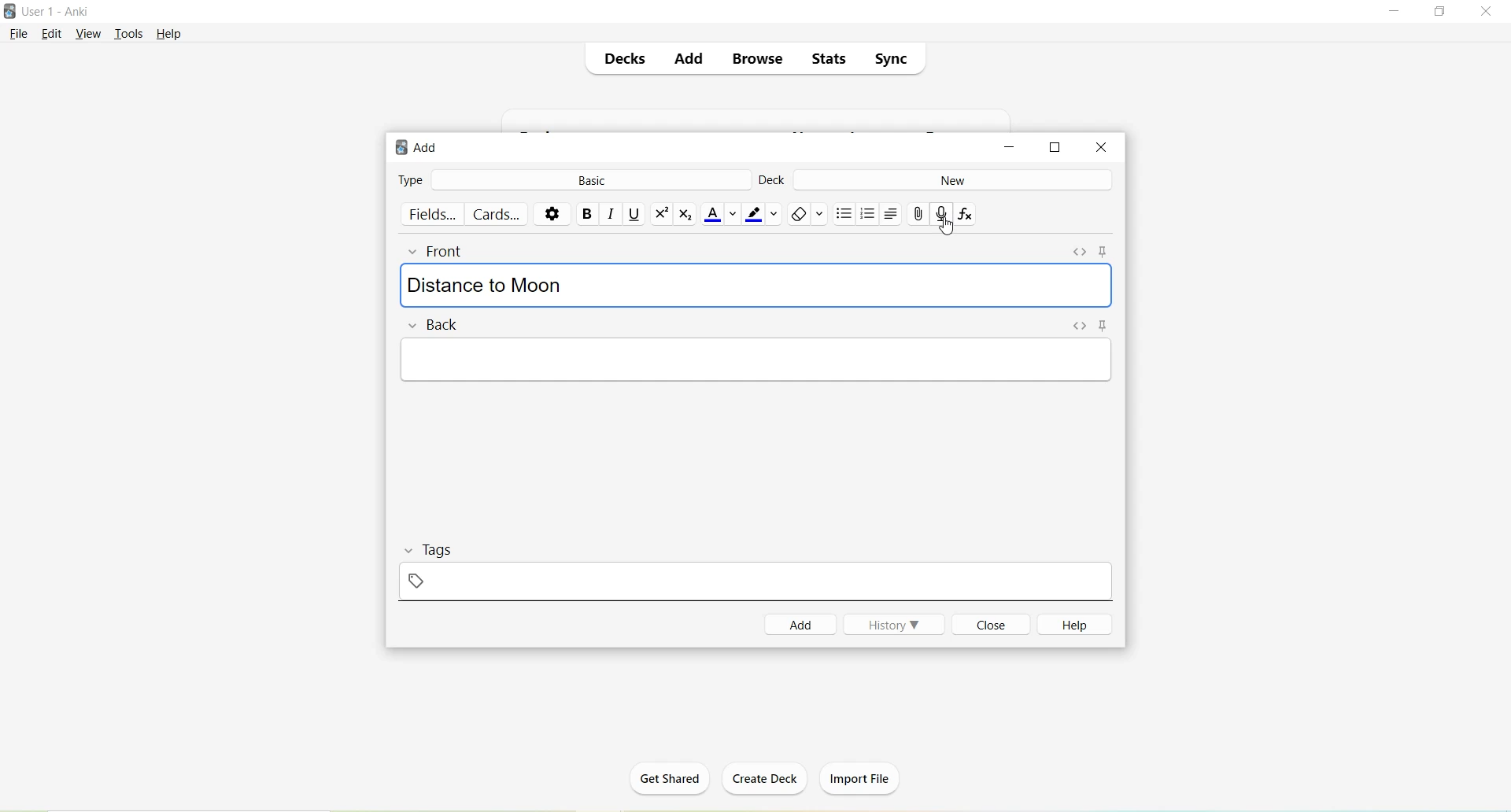 This screenshot has width=1511, height=812. Describe the element at coordinates (415, 326) in the screenshot. I see `Collapse field` at that location.